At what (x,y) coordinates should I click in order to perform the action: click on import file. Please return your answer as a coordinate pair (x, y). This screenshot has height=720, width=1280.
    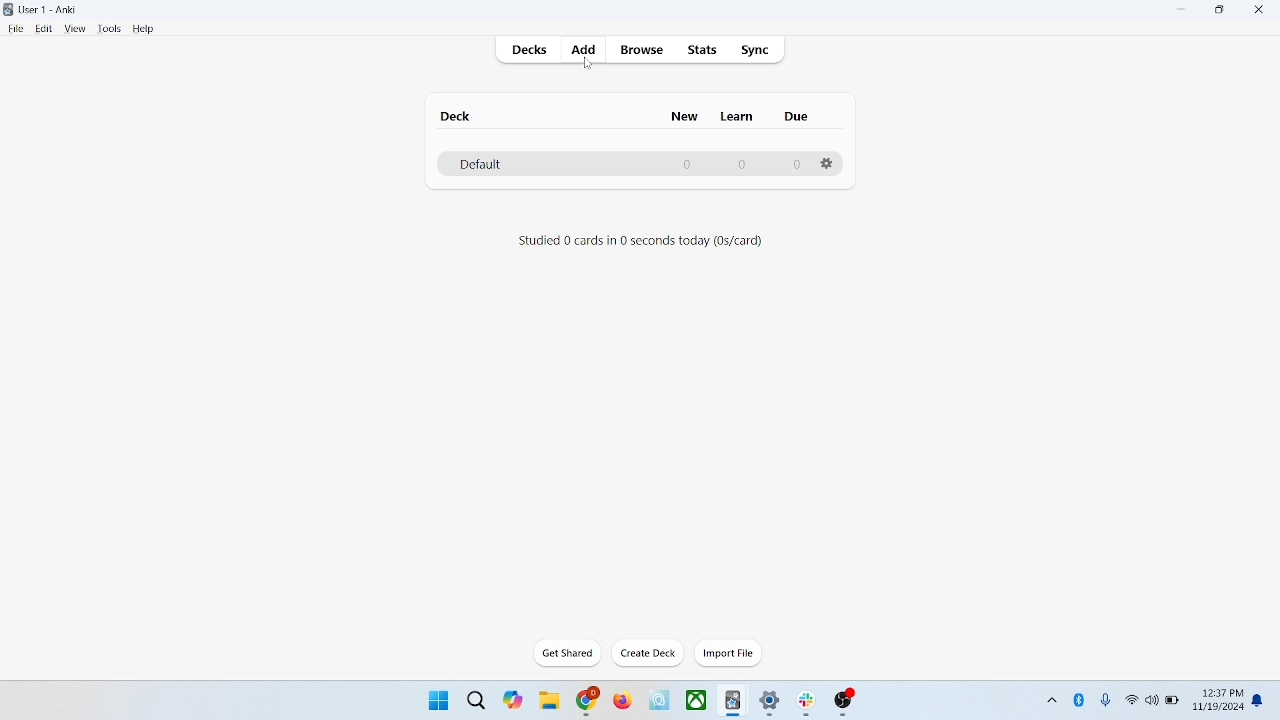
    Looking at the image, I should click on (729, 653).